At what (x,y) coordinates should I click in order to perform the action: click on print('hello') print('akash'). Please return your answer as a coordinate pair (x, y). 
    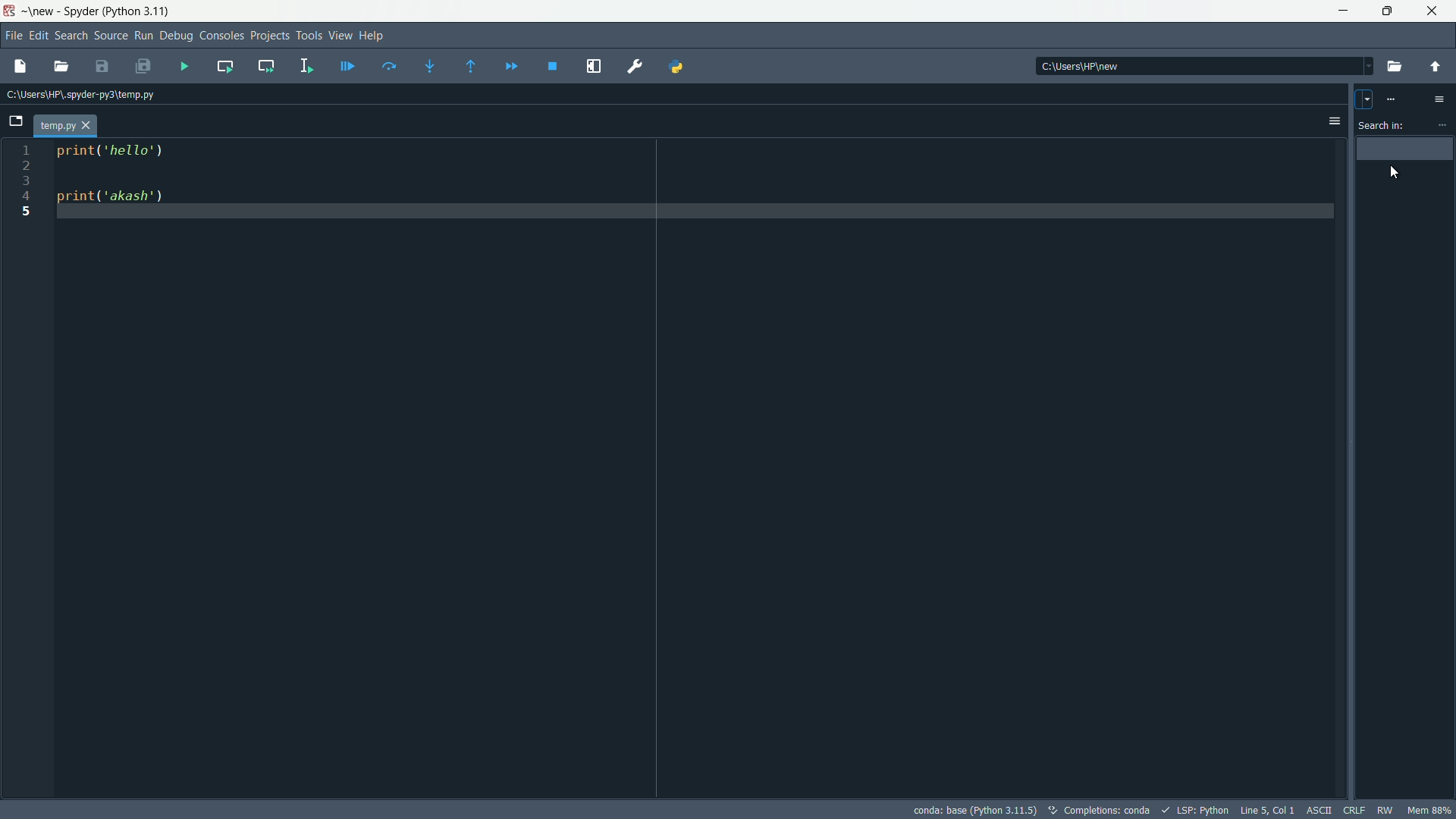
    Looking at the image, I should click on (690, 184).